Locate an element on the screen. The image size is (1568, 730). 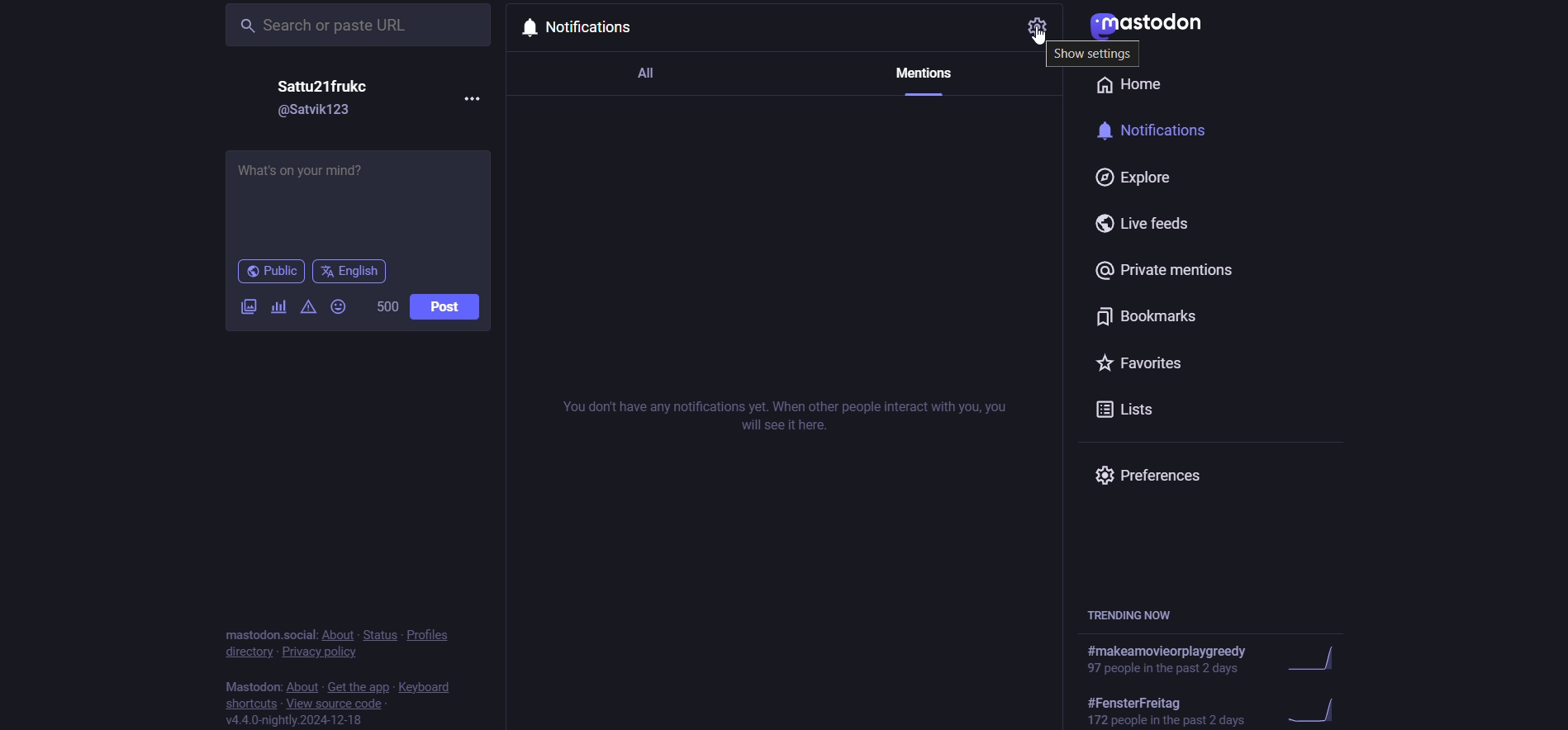
97 people in the past 2 days is located at coordinates (1166, 668).